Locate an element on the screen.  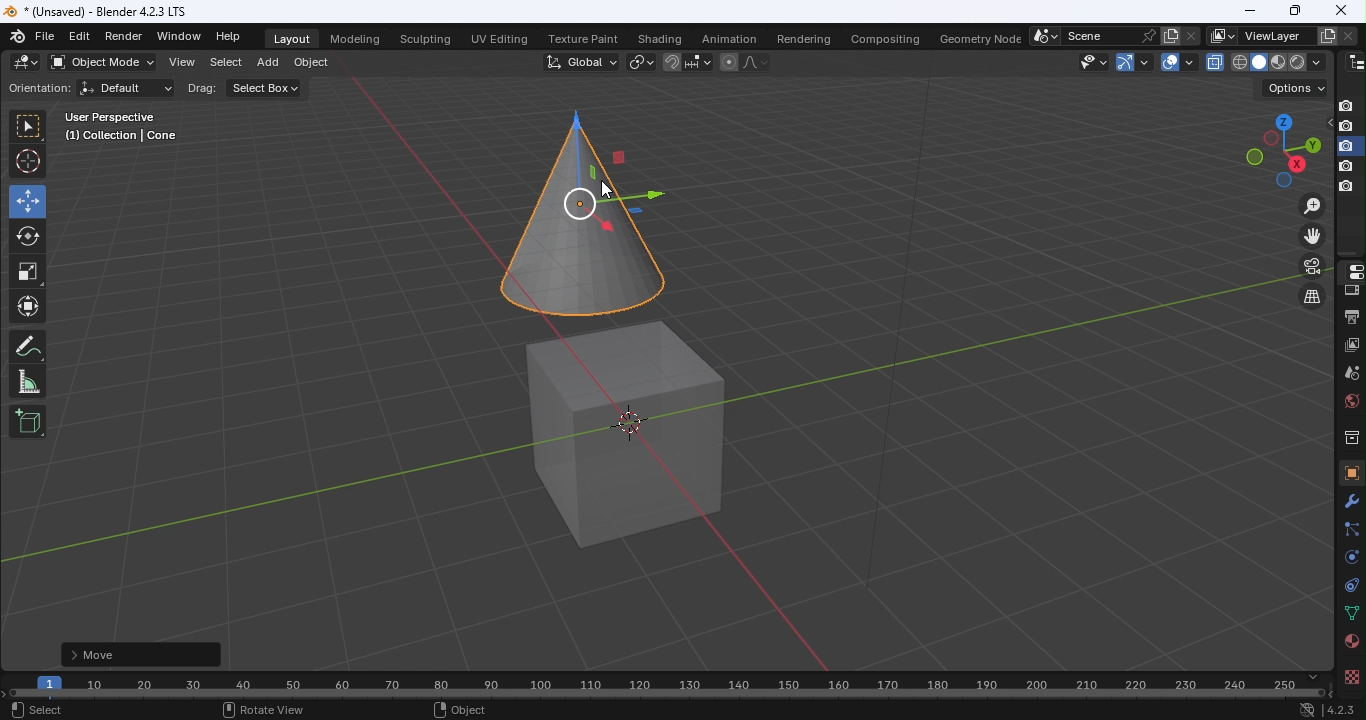
Editor type is located at coordinates (1349, 270).